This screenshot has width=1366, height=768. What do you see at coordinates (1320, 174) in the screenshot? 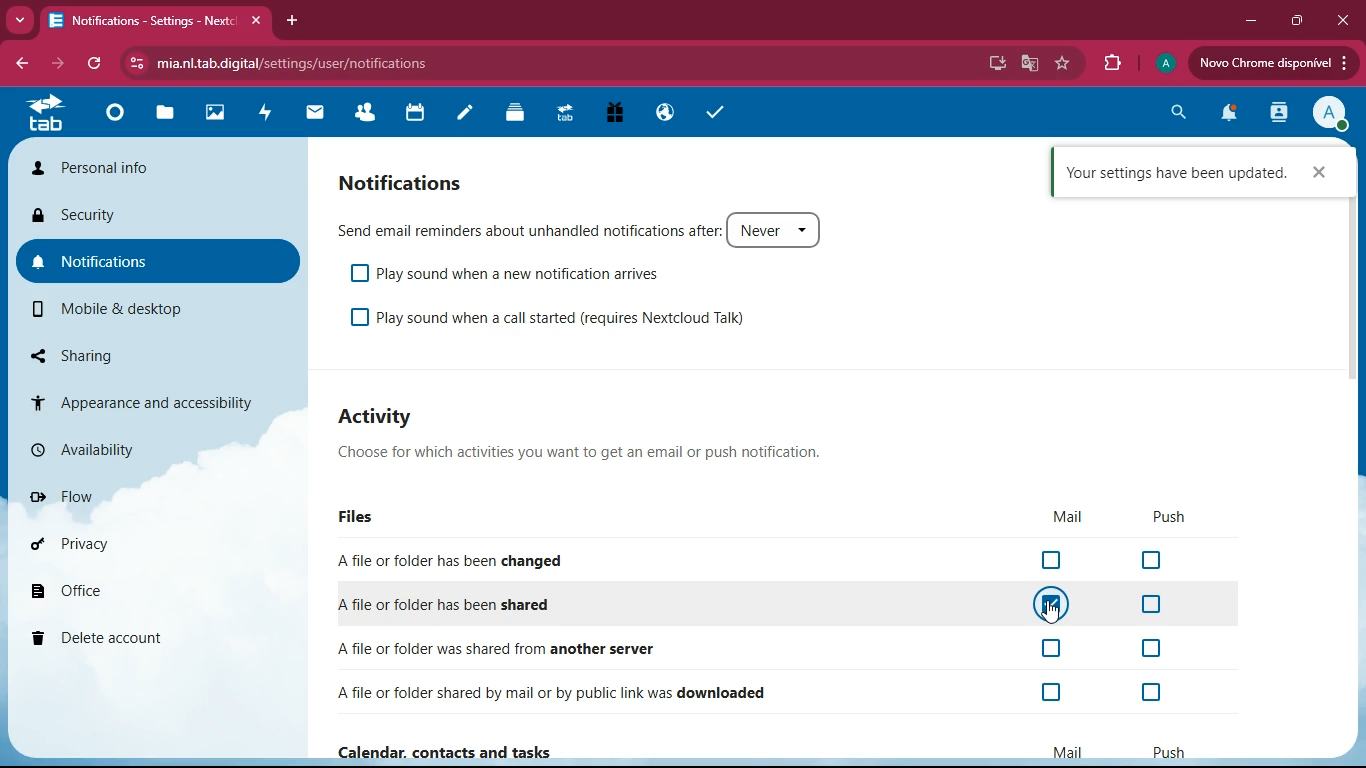
I see `cross` at bounding box center [1320, 174].